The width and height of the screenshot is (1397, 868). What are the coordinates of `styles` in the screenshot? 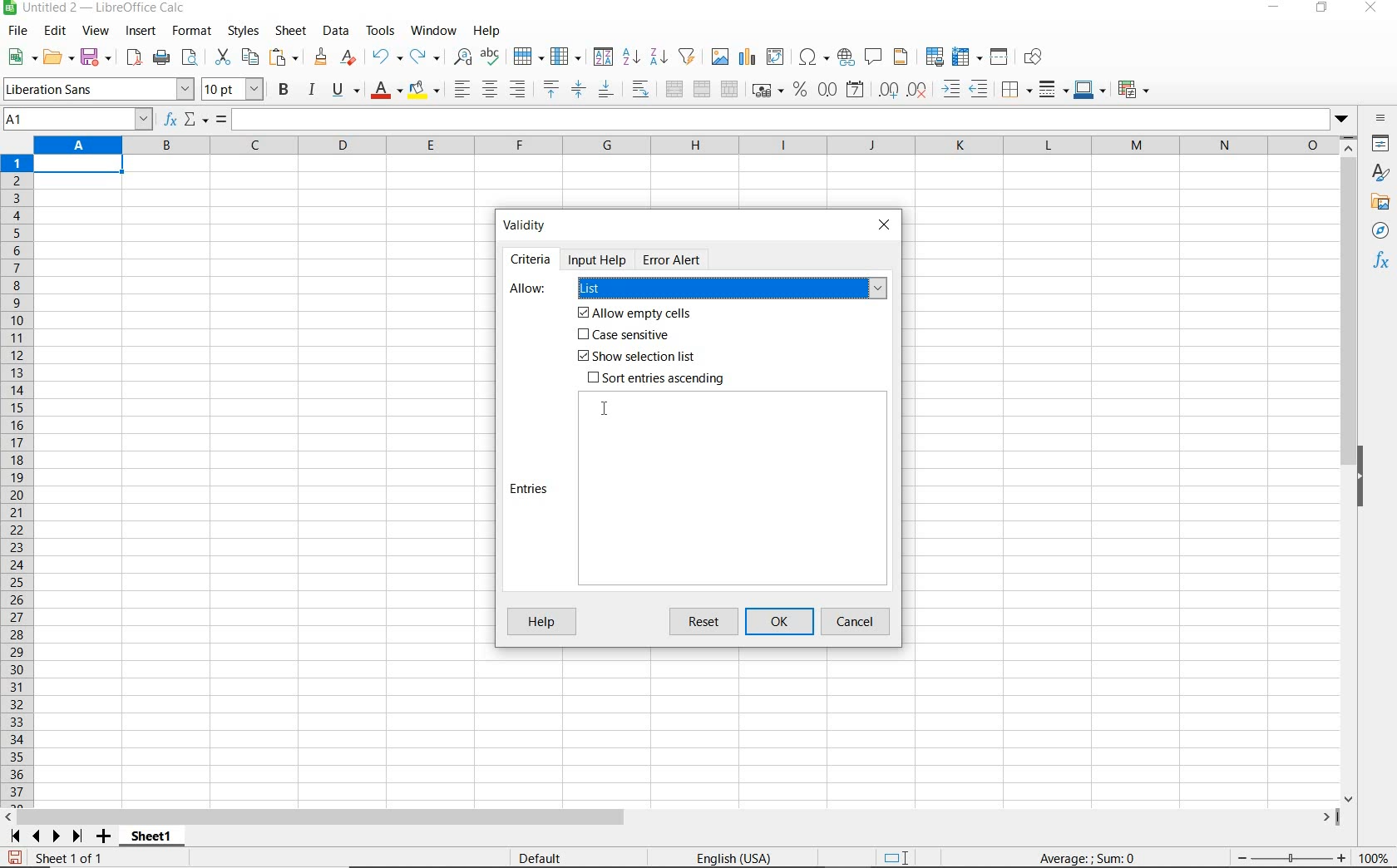 It's located at (1381, 175).